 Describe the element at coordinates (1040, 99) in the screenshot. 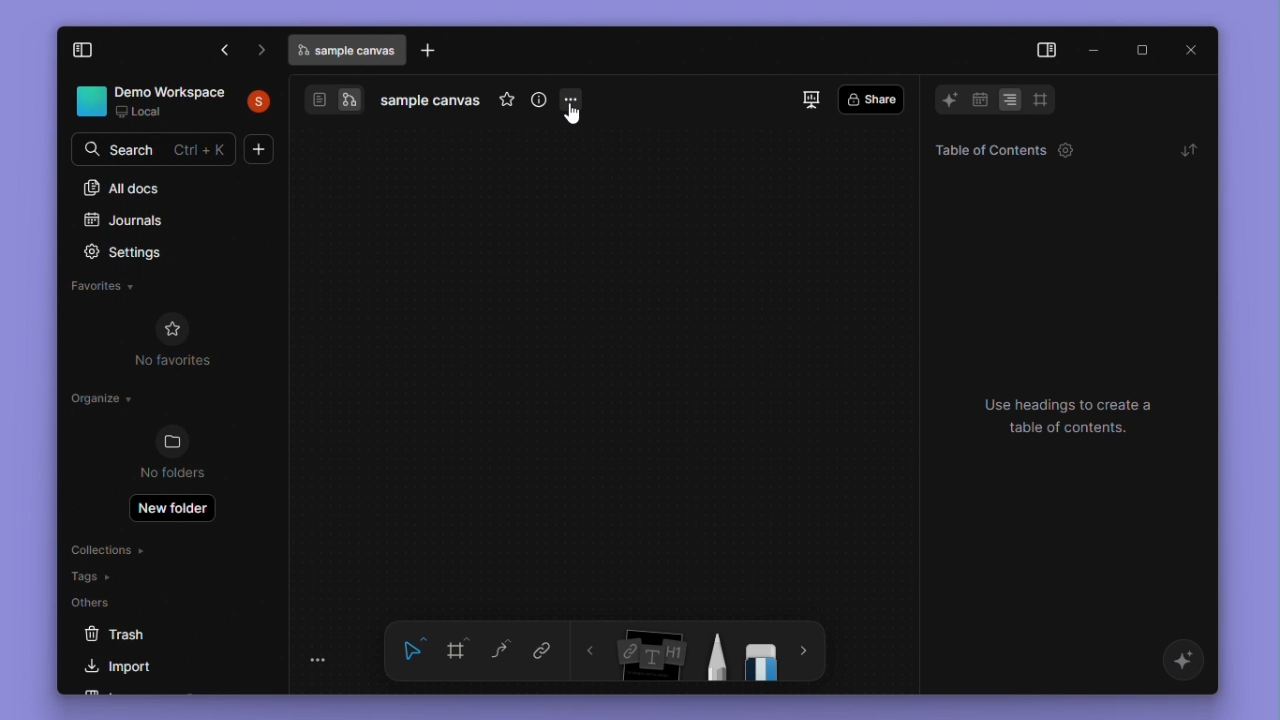

I see `Frames` at that location.